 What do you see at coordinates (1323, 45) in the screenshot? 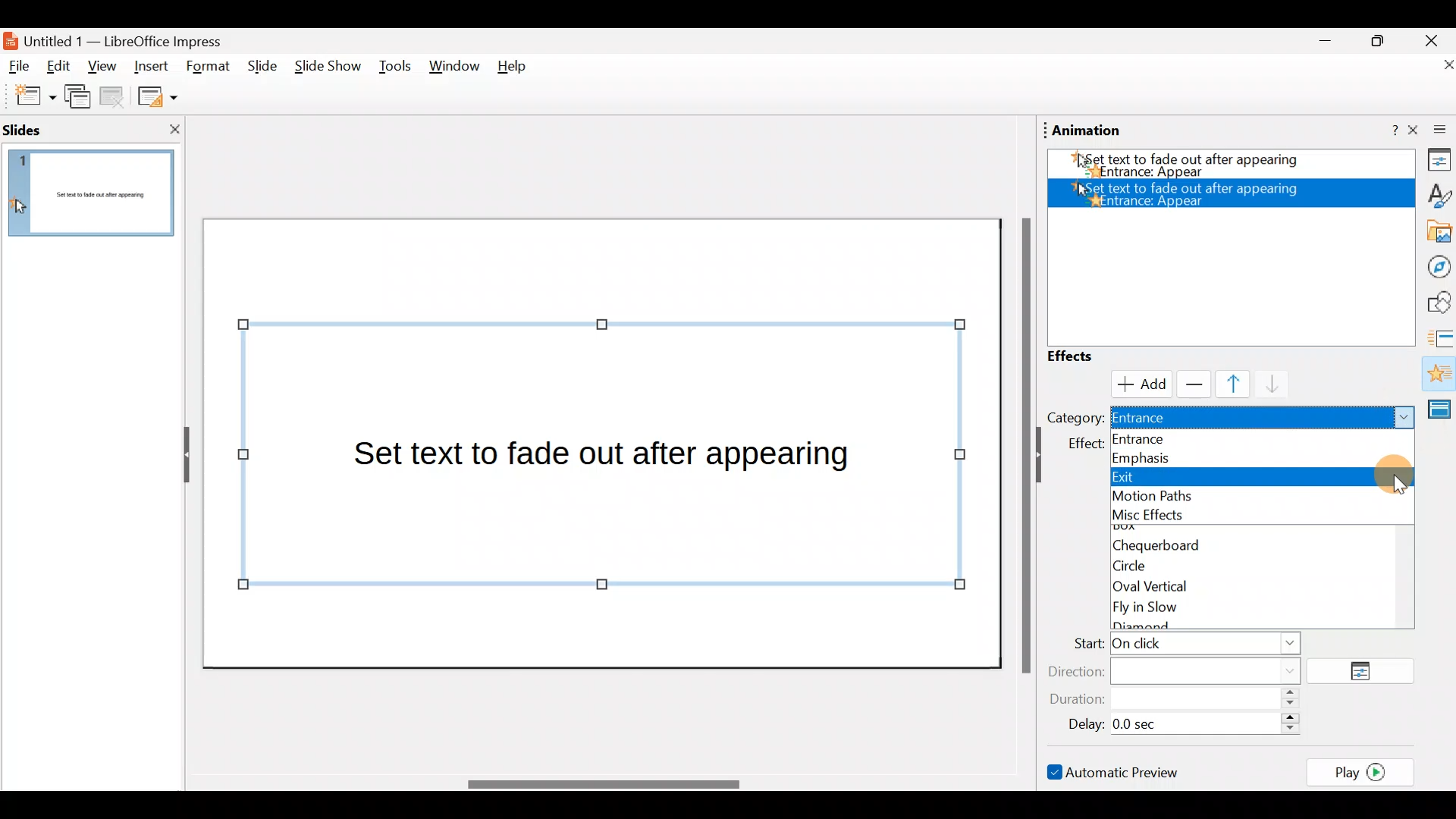
I see `Minimise` at bounding box center [1323, 45].